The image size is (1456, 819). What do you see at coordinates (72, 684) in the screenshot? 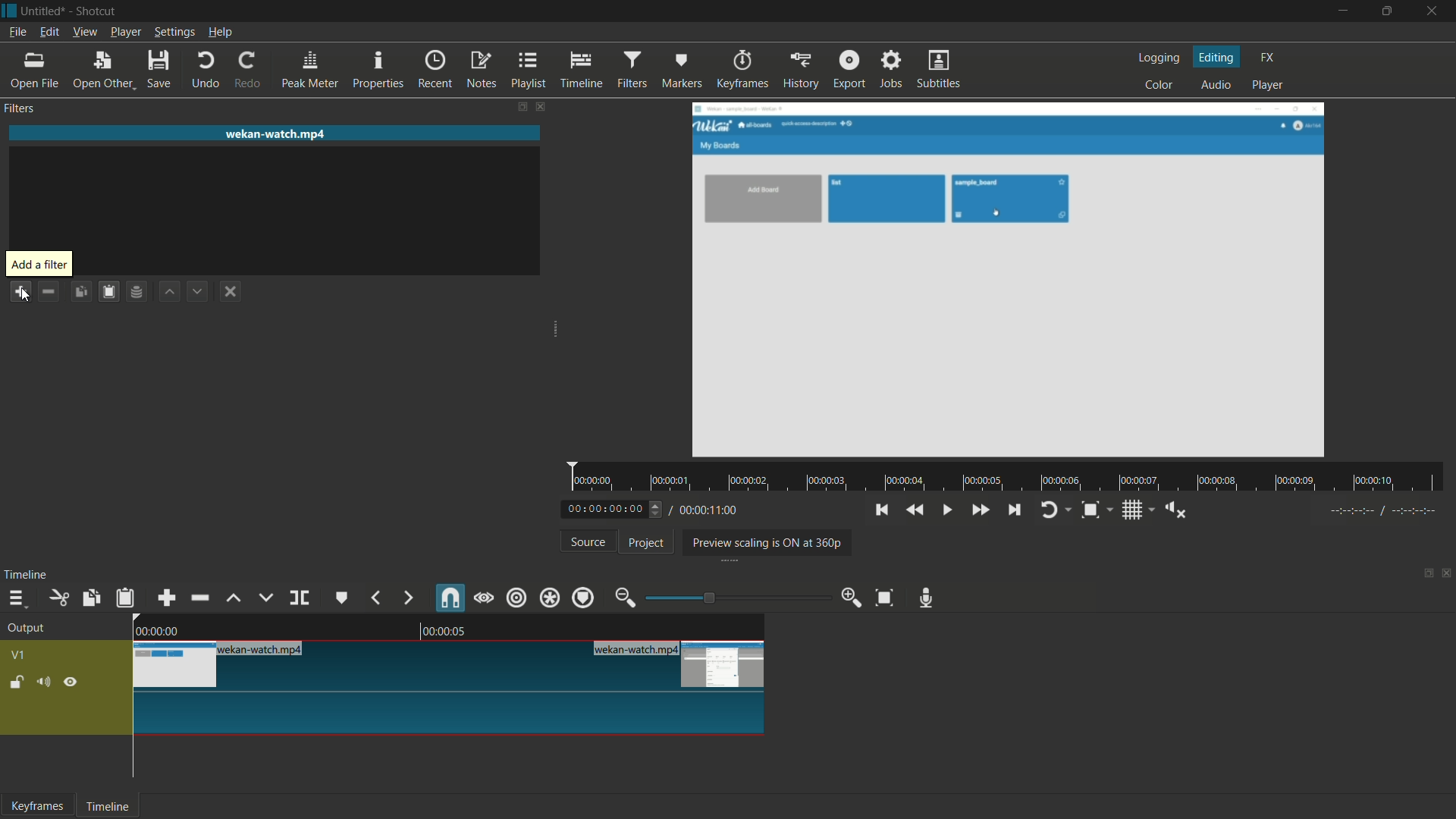
I see `hide` at bounding box center [72, 684].